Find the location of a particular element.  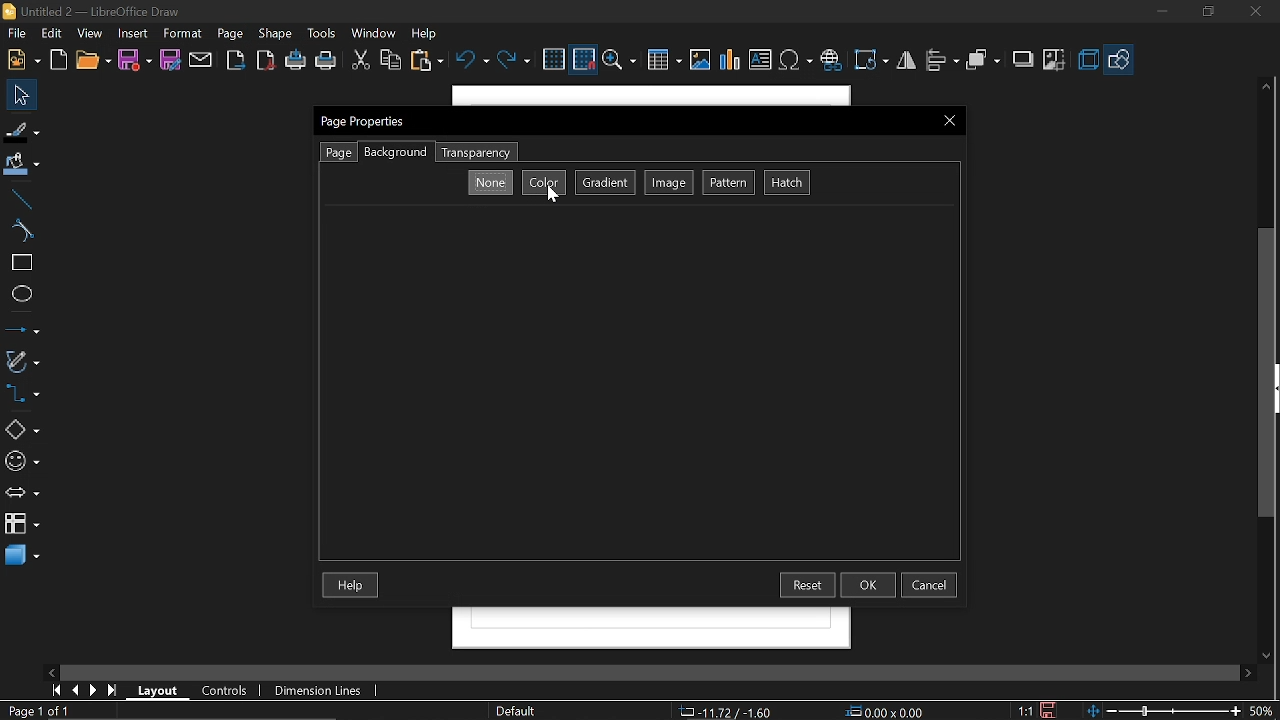

Arrows is located at coordinates (22, 492).